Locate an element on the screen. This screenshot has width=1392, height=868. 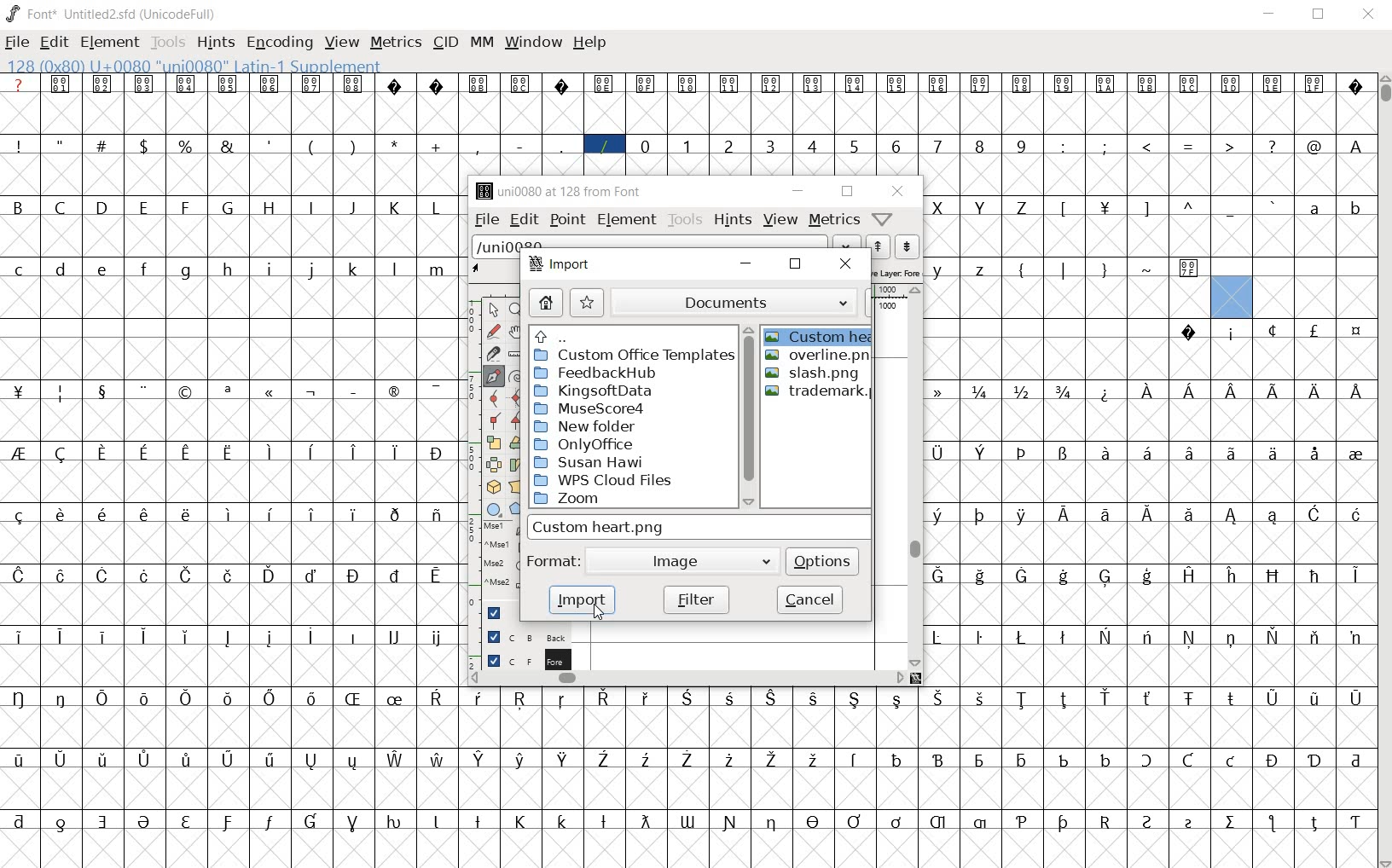
scrollbar is located at coordinates (686, 680).